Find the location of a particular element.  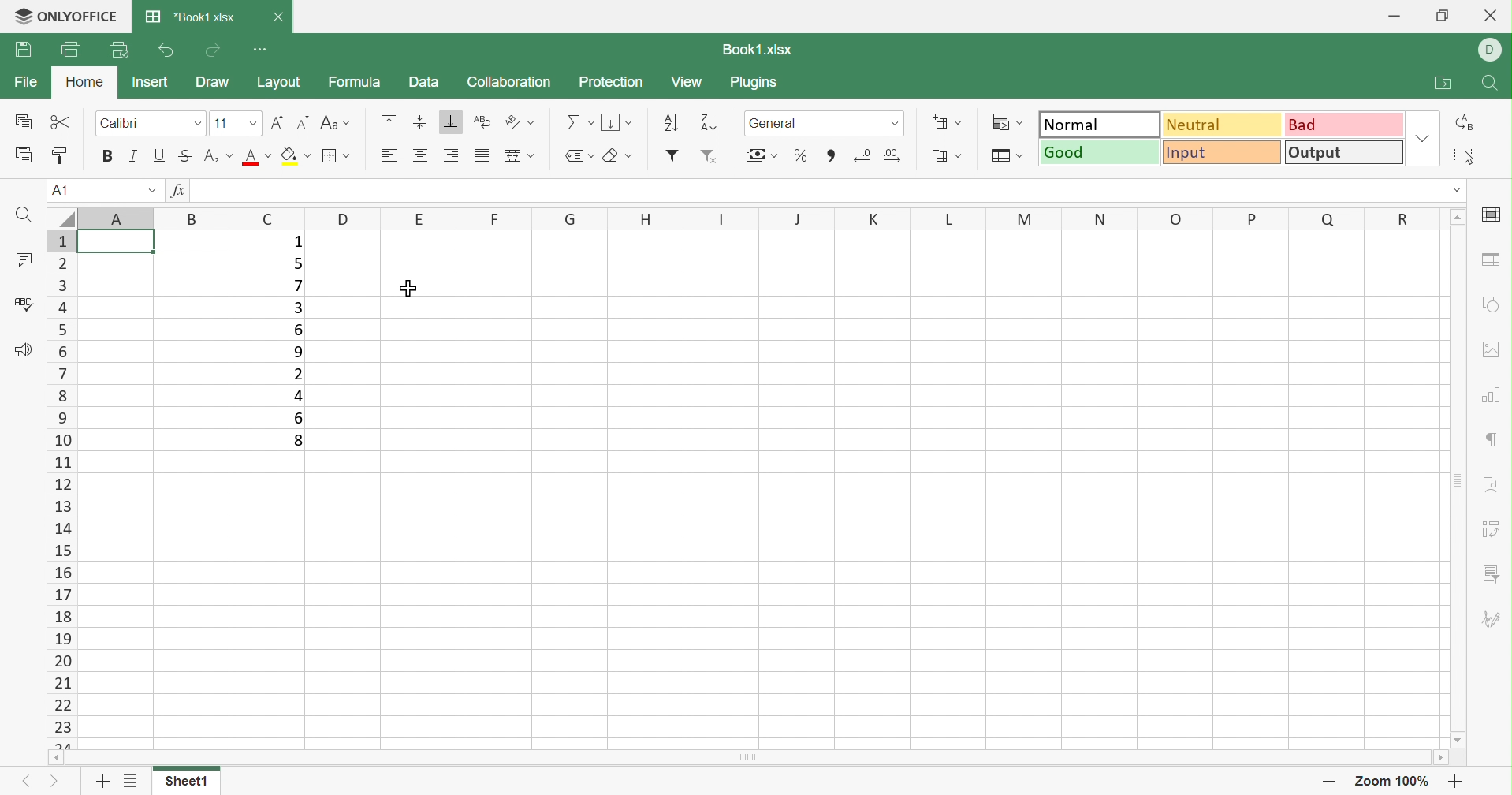

Open file location is located at coordinates (1447, 84).